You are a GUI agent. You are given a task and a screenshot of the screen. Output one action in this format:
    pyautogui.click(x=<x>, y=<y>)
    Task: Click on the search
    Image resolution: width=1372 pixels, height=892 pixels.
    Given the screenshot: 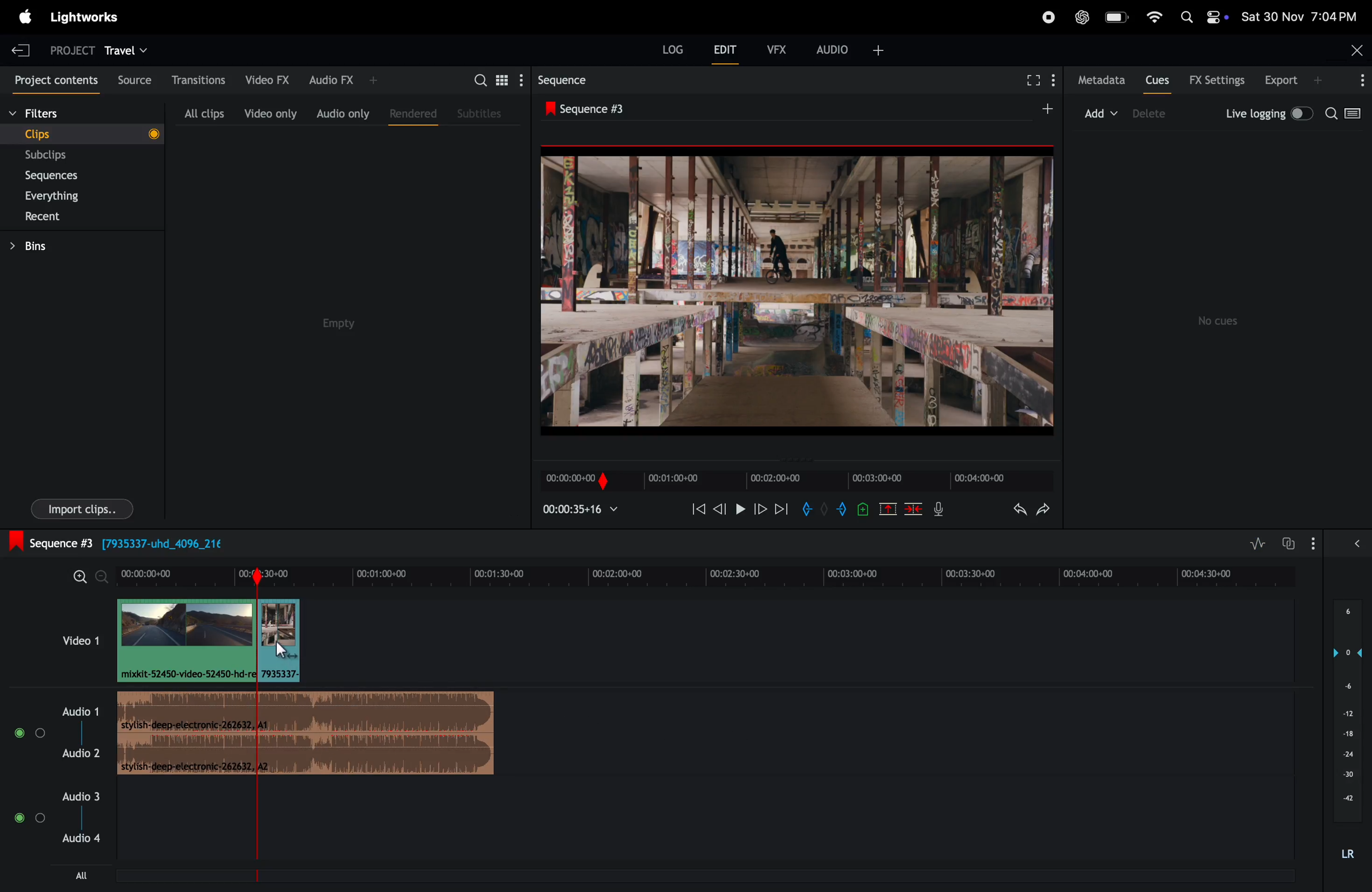 What is the action you would take?
    pyautogui.click(x=1347, y=116)
    